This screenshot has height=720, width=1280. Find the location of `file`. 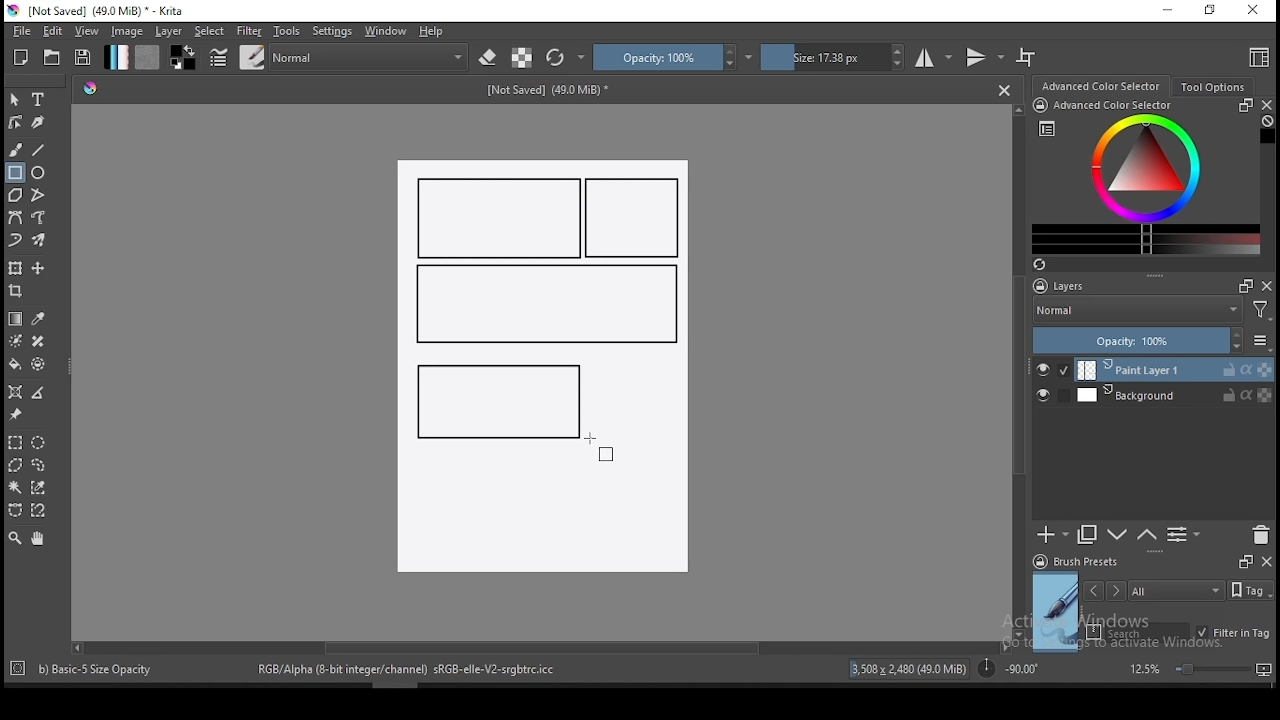

file is located at coordinates (21, 31).